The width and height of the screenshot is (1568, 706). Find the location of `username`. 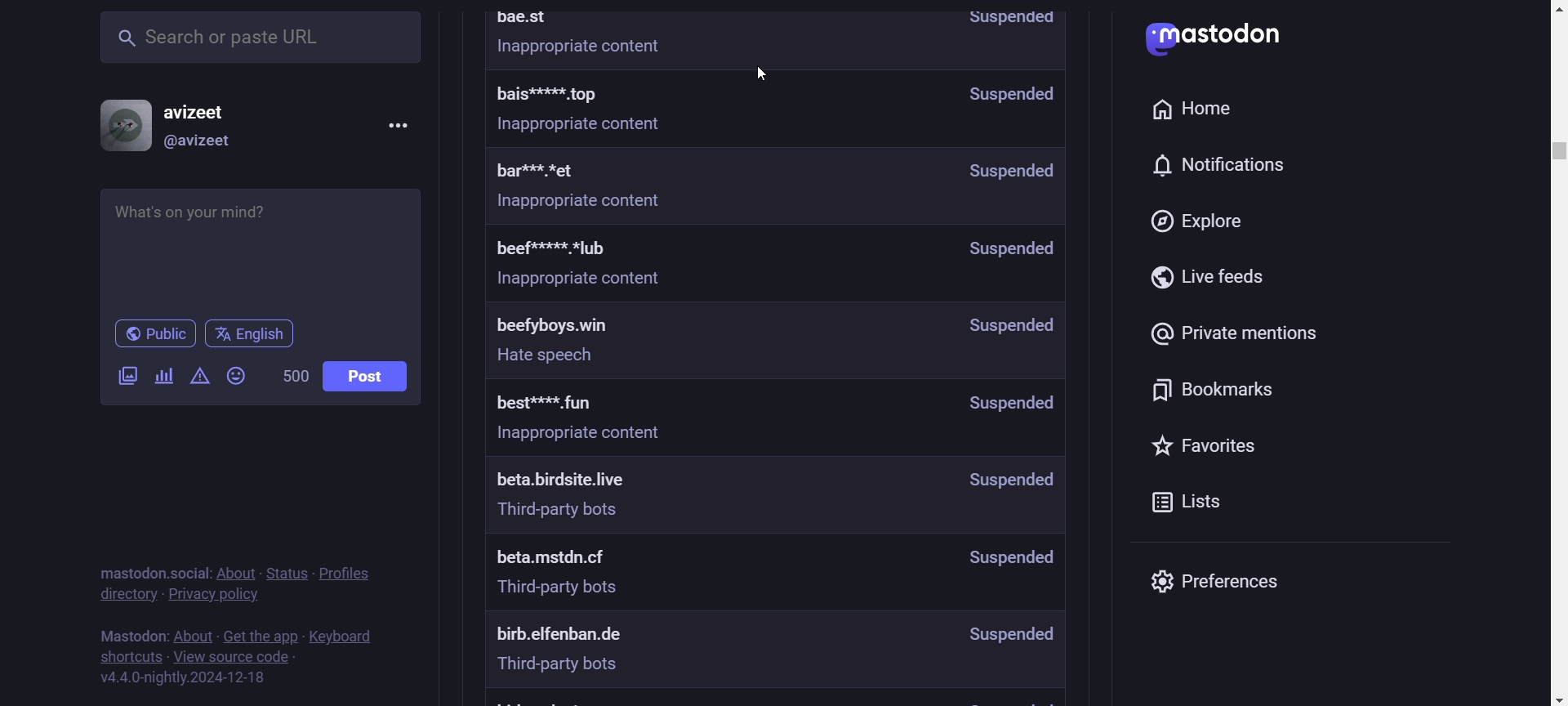

username is located at coordinates (204, 107).